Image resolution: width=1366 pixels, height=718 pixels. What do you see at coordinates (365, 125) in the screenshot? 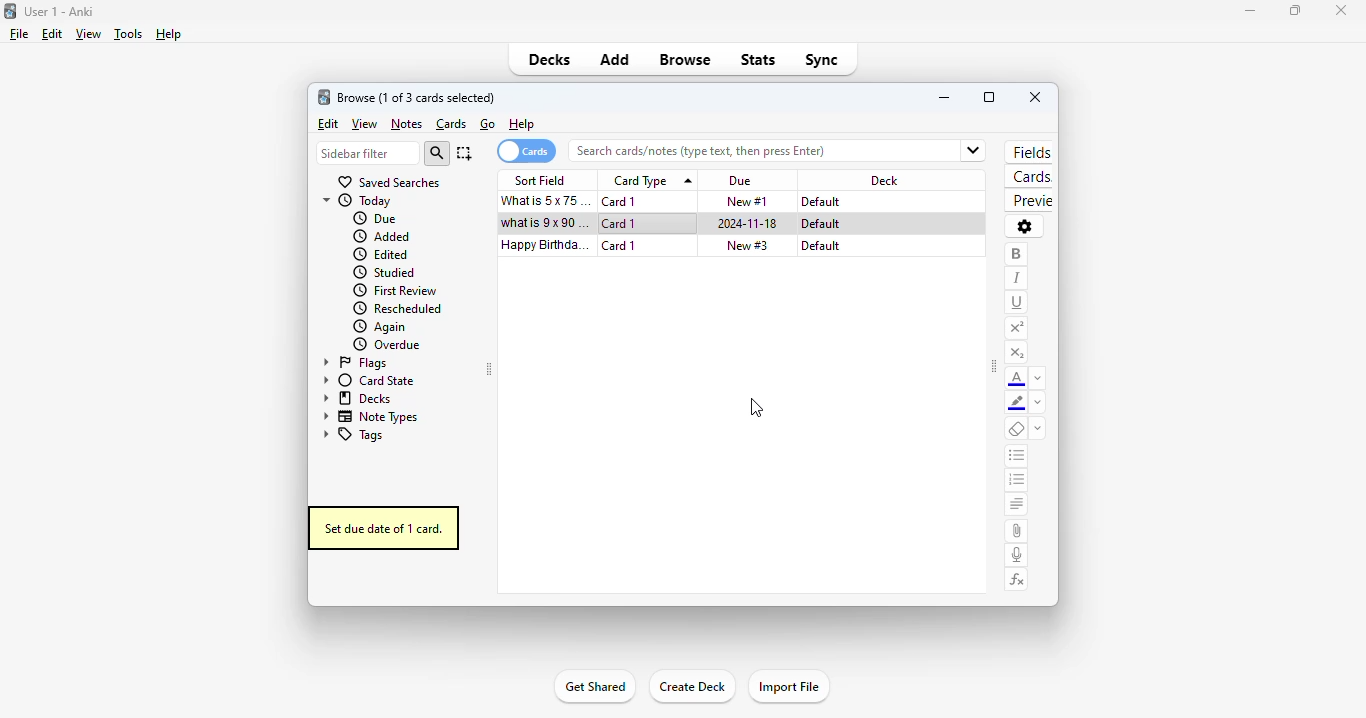
I see `view` at bounding box center [365, 125].